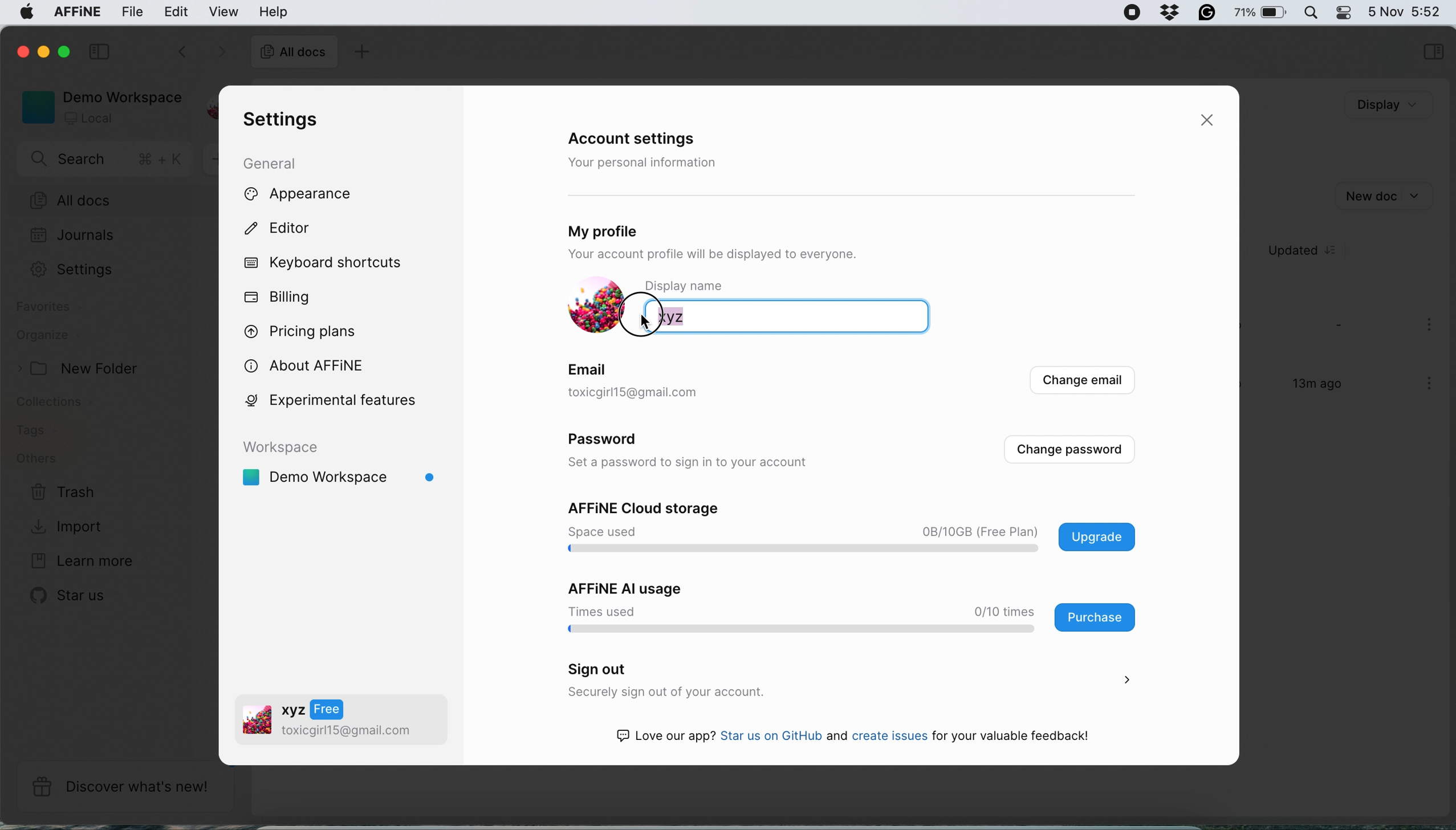  What do you see at coordinates (1382, 194) in the screenshot?
I see `new doc` at bounding box center [1382, 194].